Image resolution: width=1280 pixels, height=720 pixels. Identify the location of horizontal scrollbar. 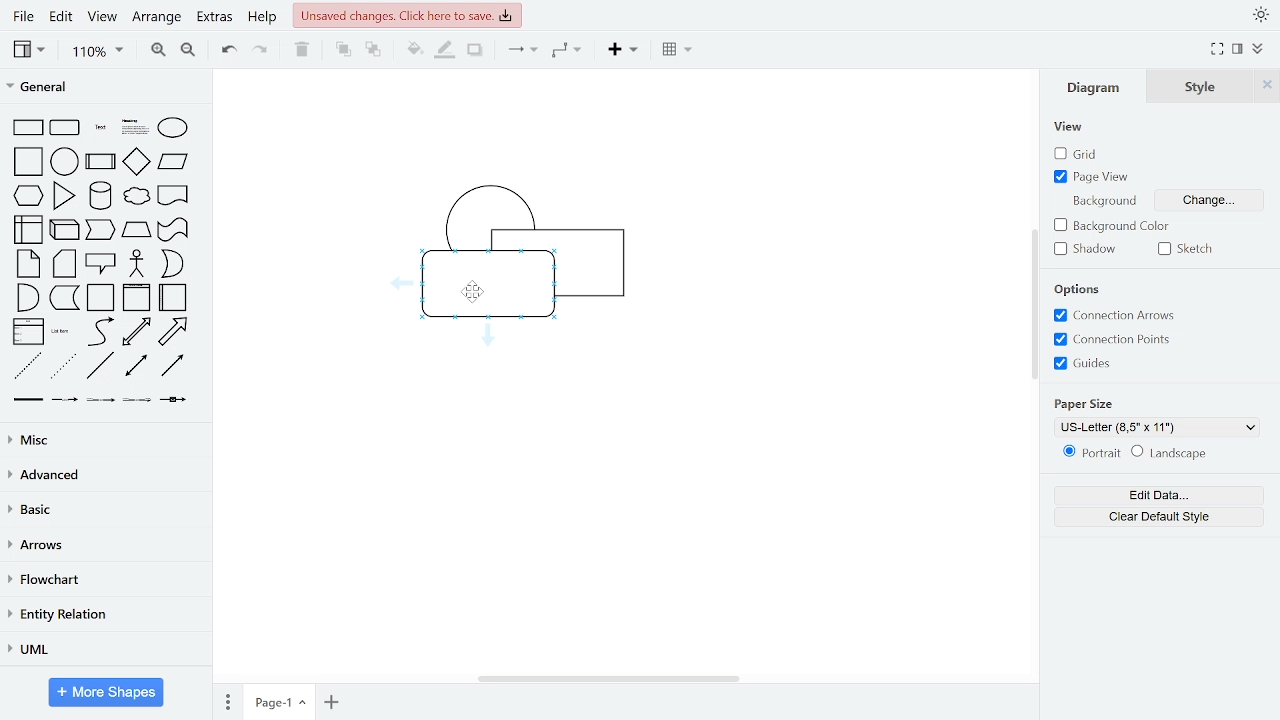
(610, 680).